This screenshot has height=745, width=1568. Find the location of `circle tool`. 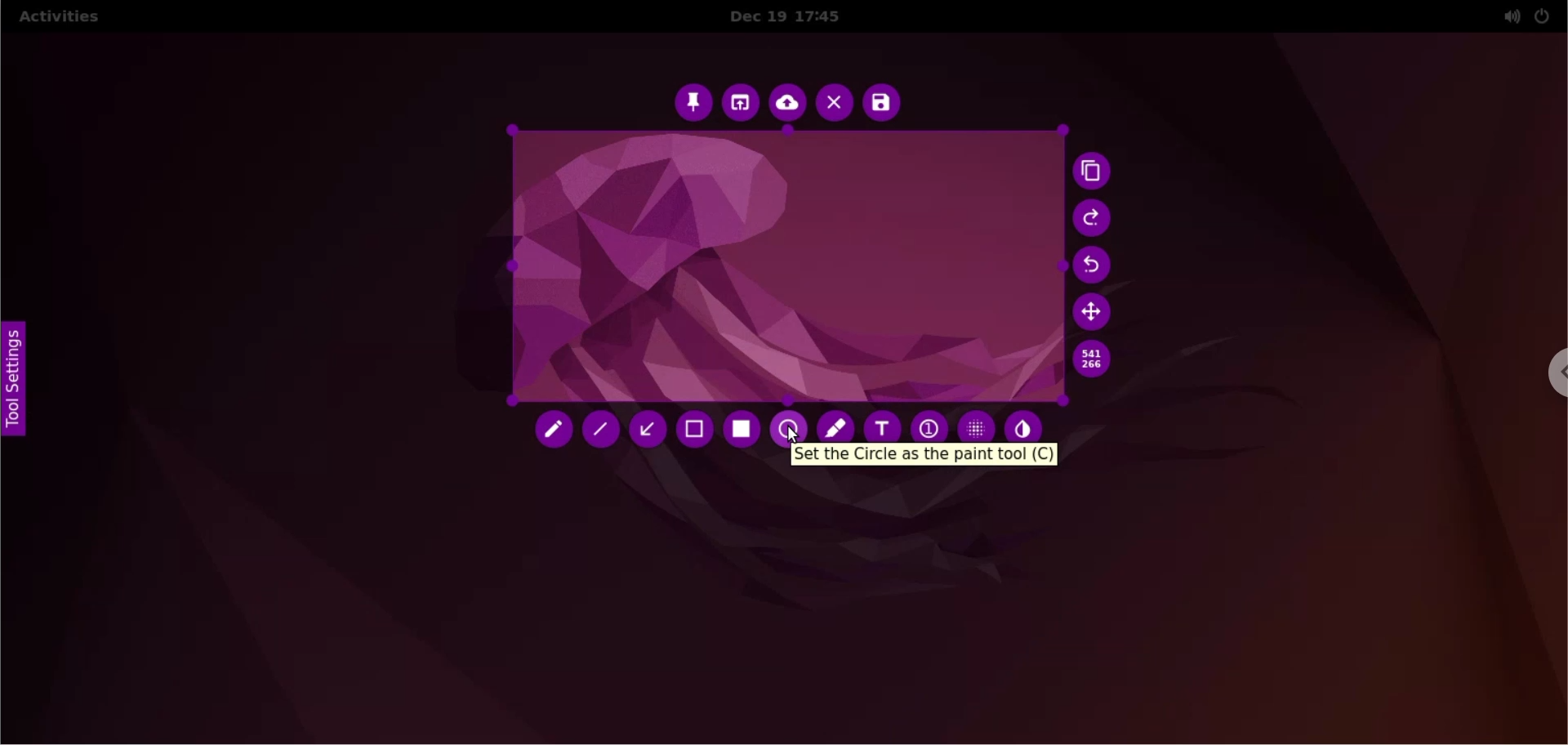

circle tool is located at coordinates (792, 424).